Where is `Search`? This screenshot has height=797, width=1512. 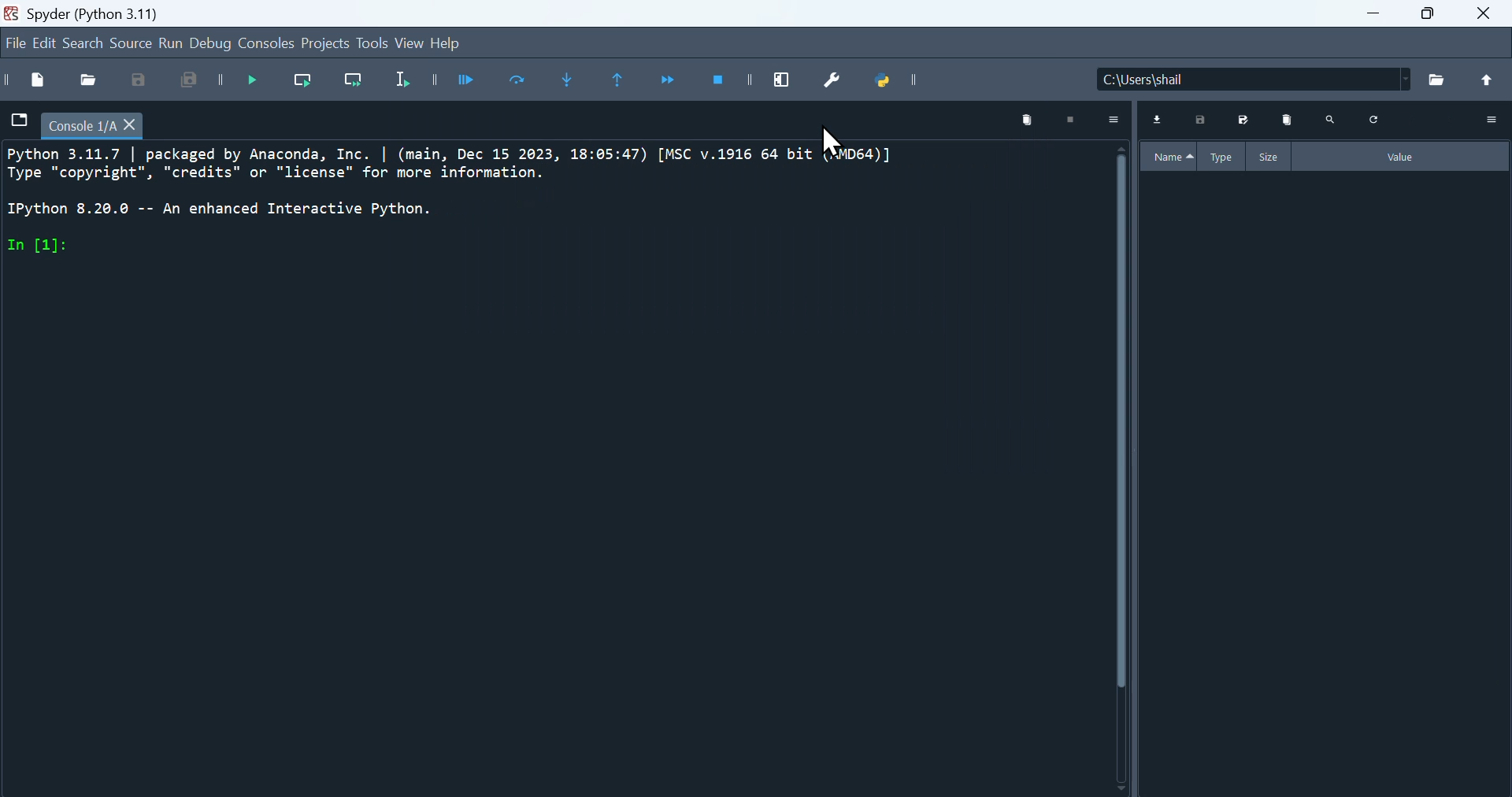 Search is located at coordinates (1333, 119).